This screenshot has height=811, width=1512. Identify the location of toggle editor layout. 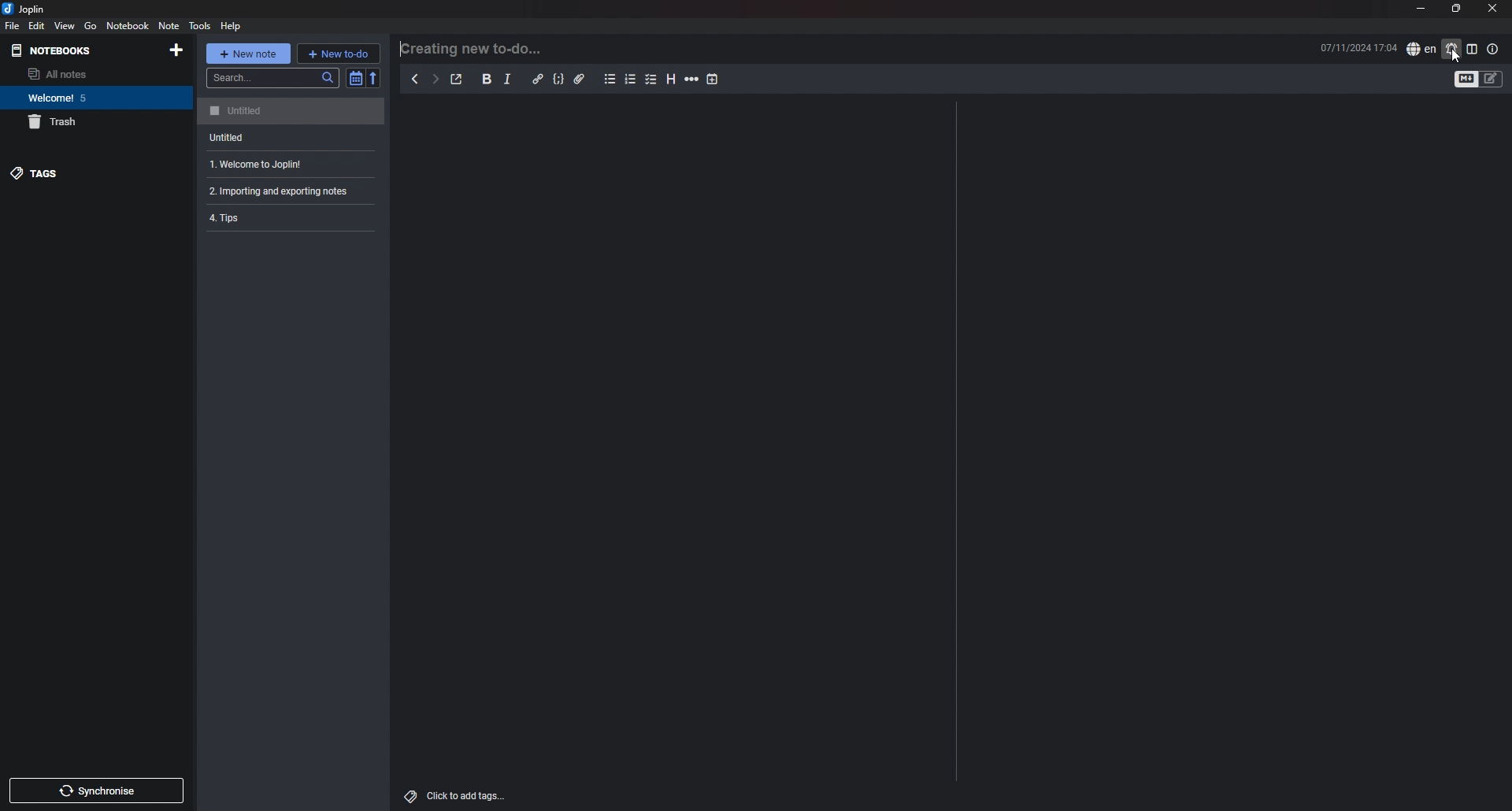
(1472, 49).